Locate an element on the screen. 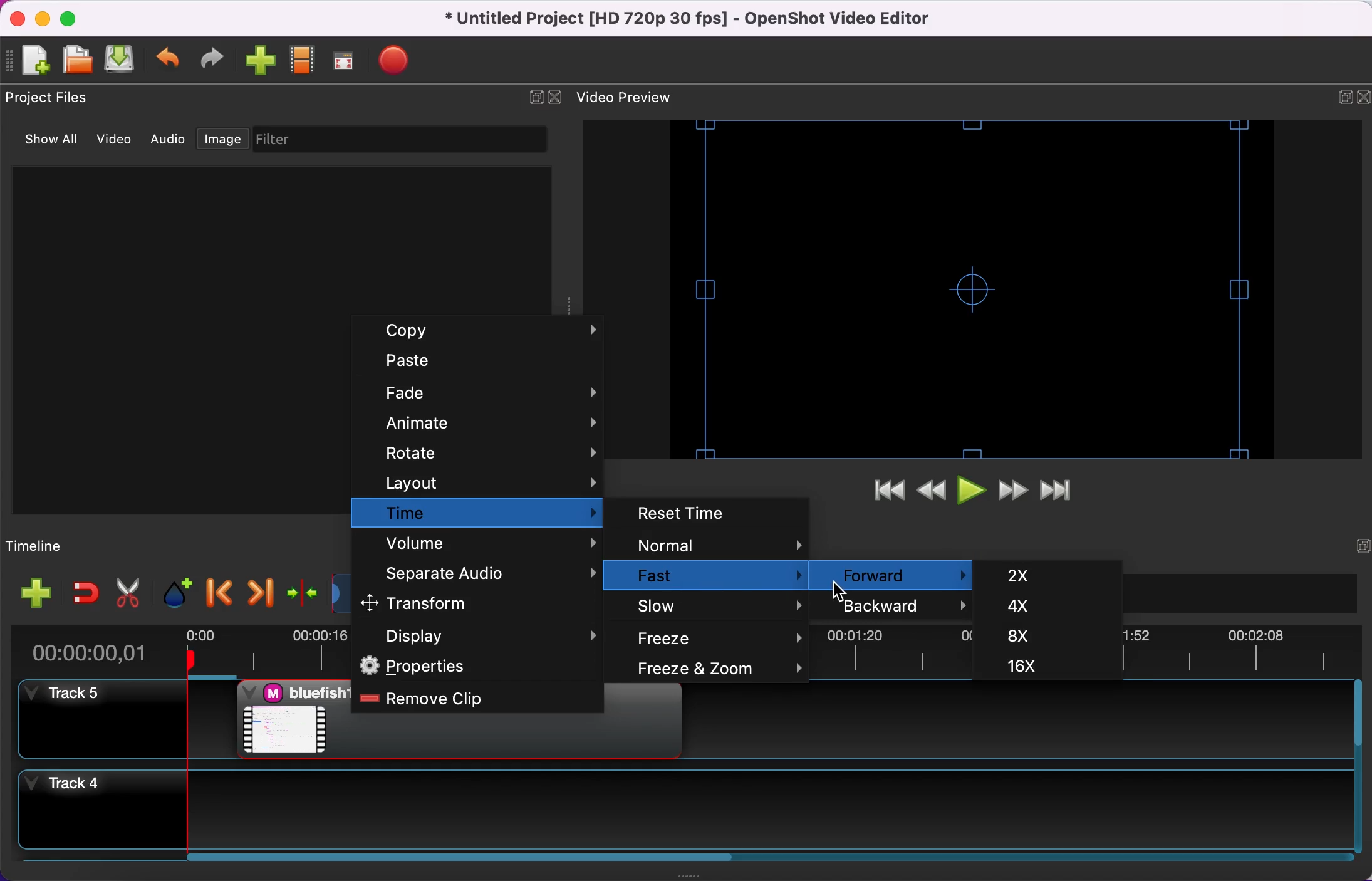  4x is located at coordinates (1047, 605).